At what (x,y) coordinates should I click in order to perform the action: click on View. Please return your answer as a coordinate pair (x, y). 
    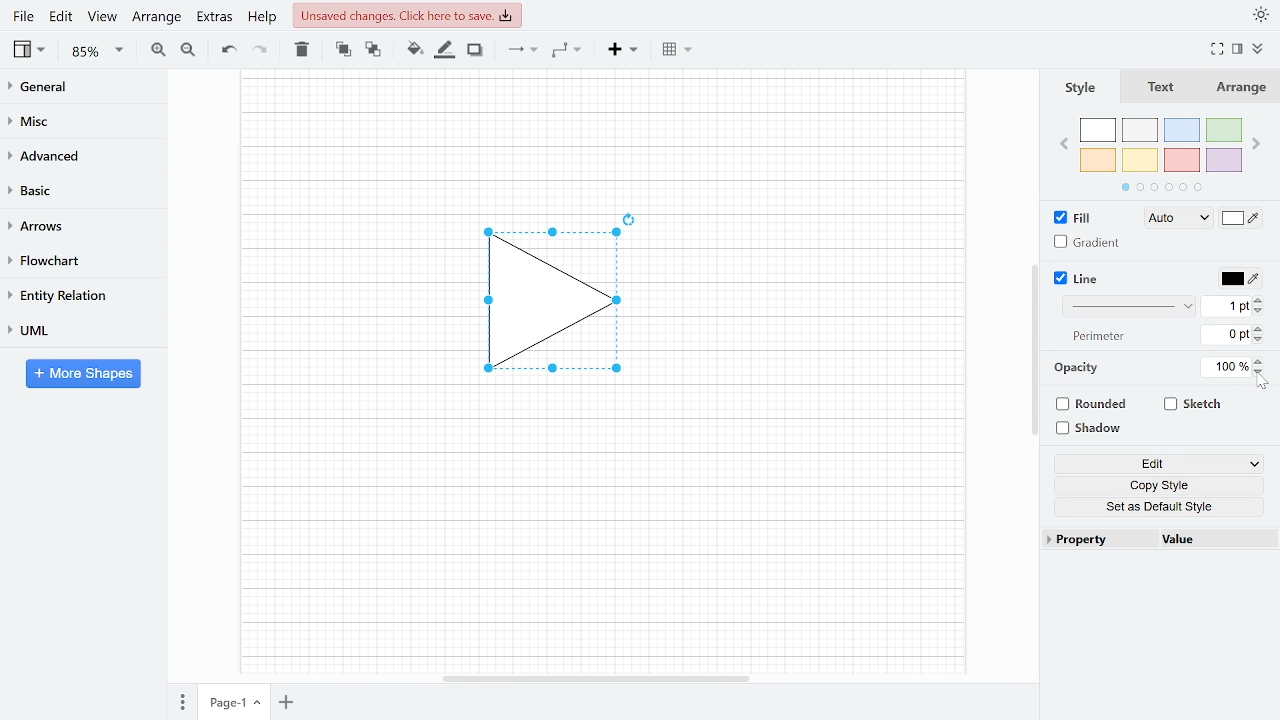
    Looking at the image, I should click on (102, 16).